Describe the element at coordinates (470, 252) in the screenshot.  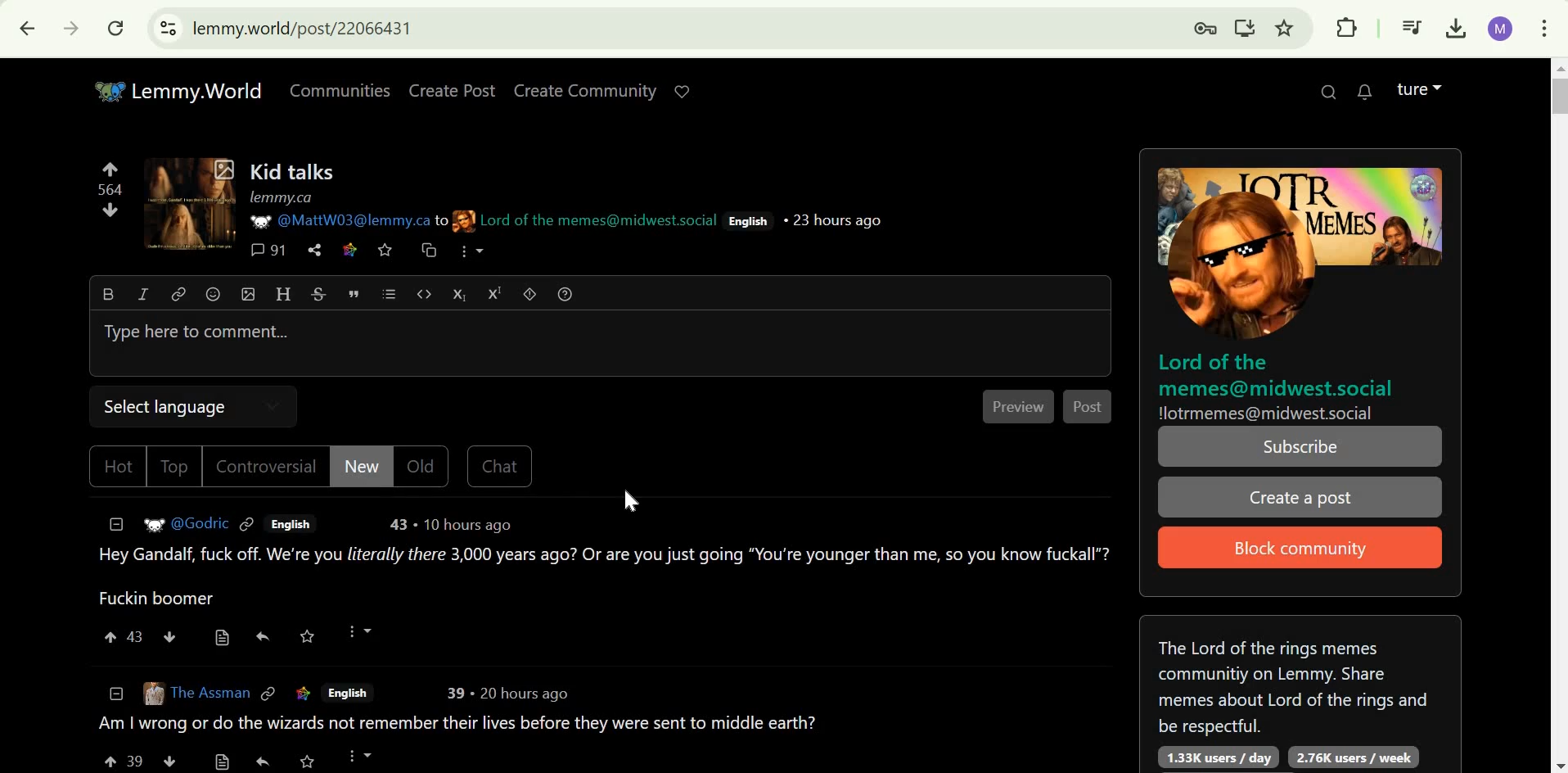
I see `more` at that location.